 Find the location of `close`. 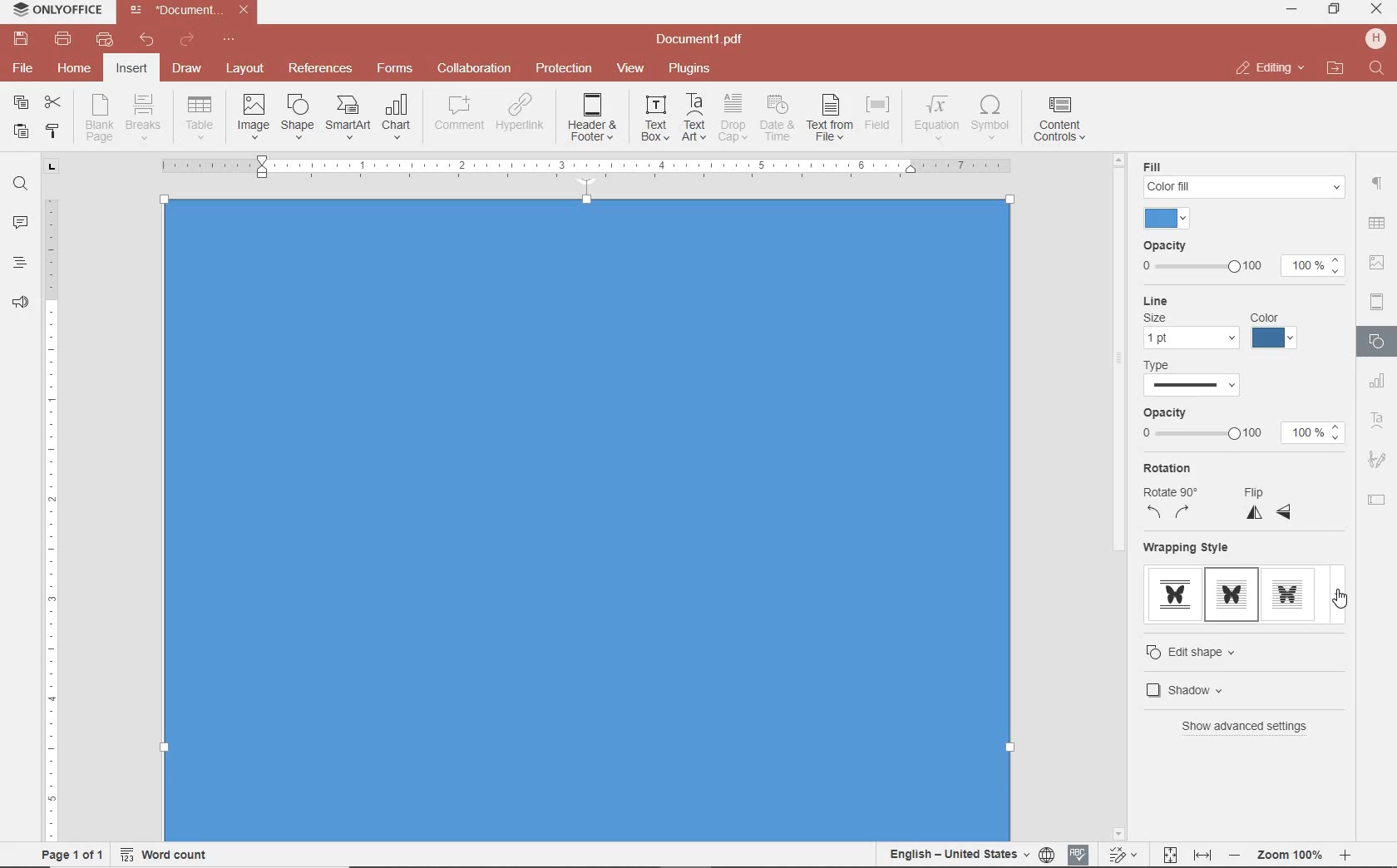

close is located at coordinates (1269, 68).